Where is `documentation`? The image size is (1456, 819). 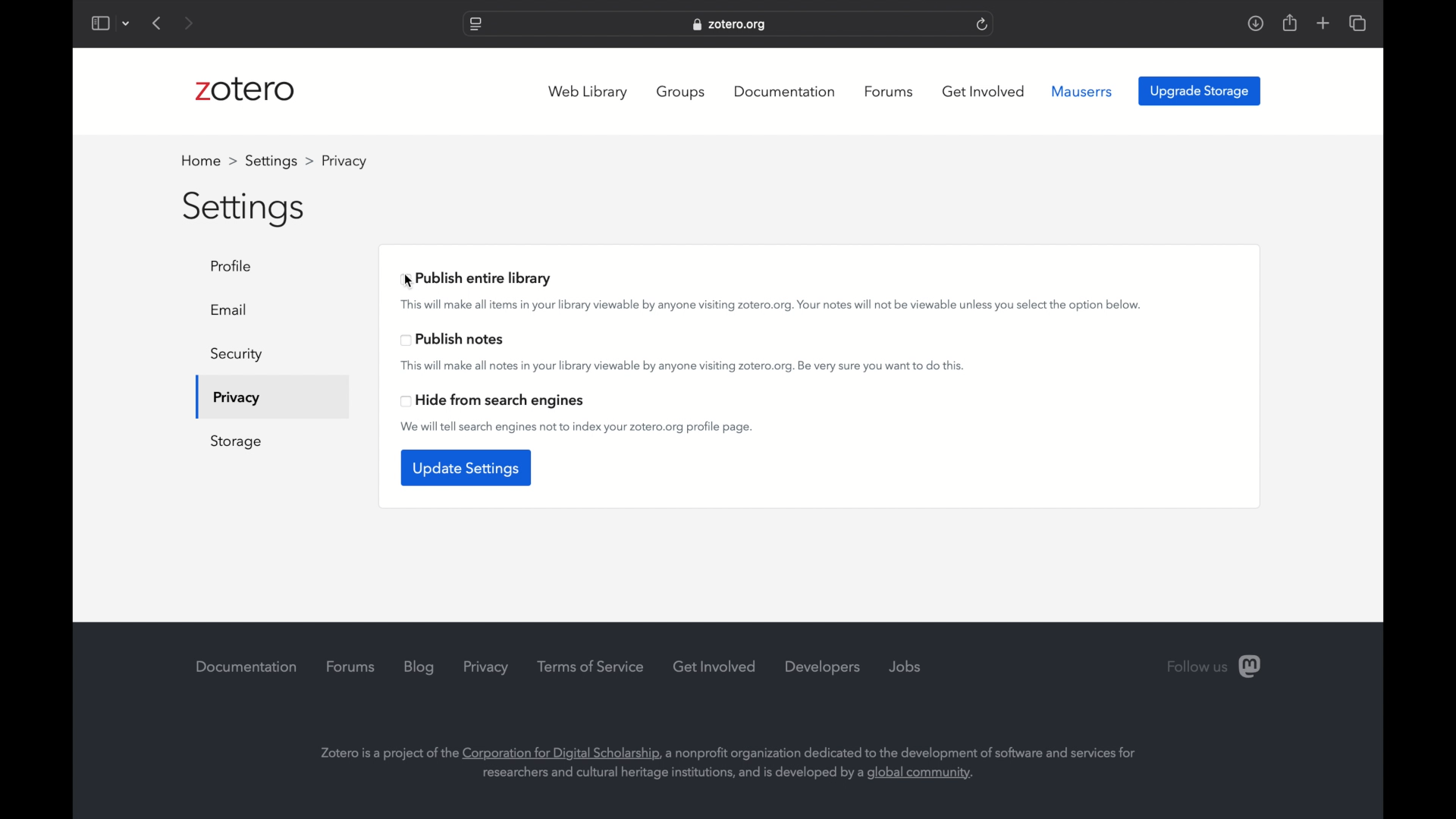 documentation is located at coordinates (784, 92).